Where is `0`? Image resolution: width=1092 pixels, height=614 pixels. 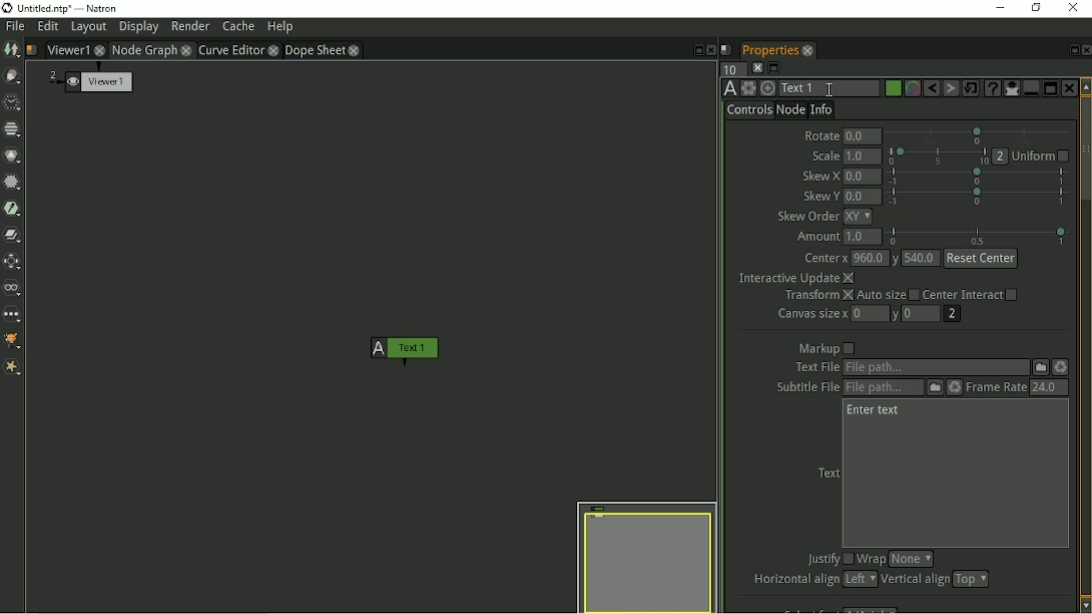
0 is located at coordinates (919, 313).